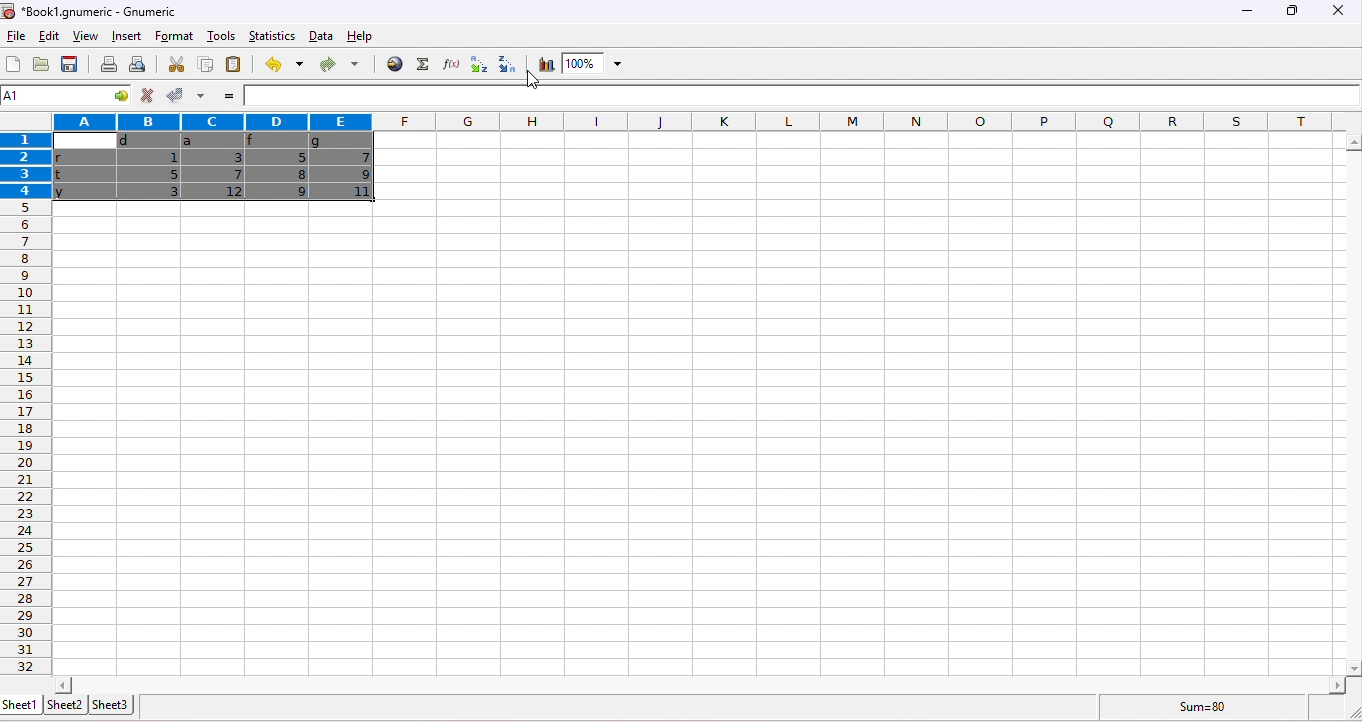 This screenshot has height=722, width=1362. What do you see at coordinates (117, 96) in the screenshot?
I see `cell options` at bounding box center [117, 96].